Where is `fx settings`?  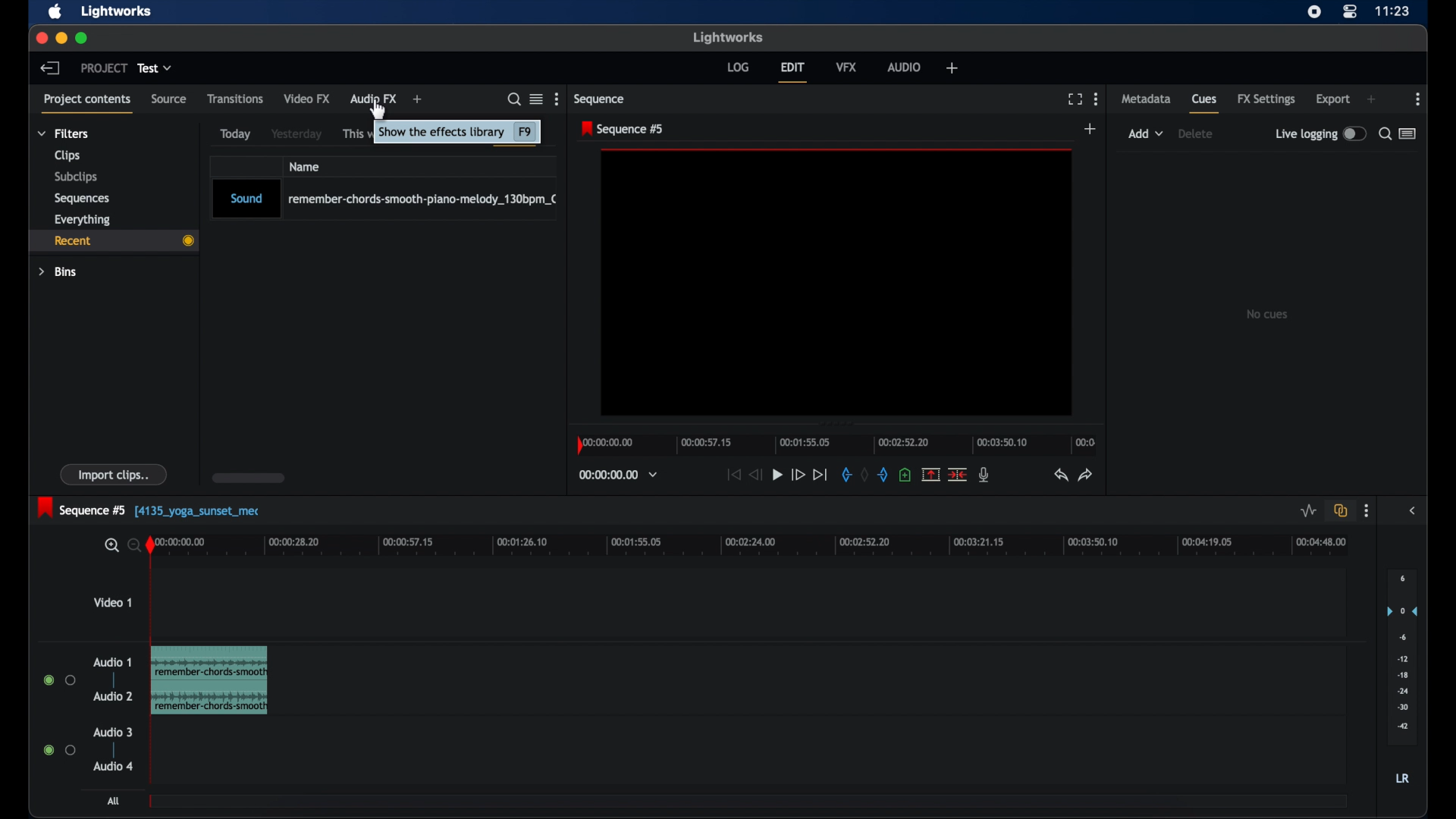
fx settings is located at coordinates (1266, 99).